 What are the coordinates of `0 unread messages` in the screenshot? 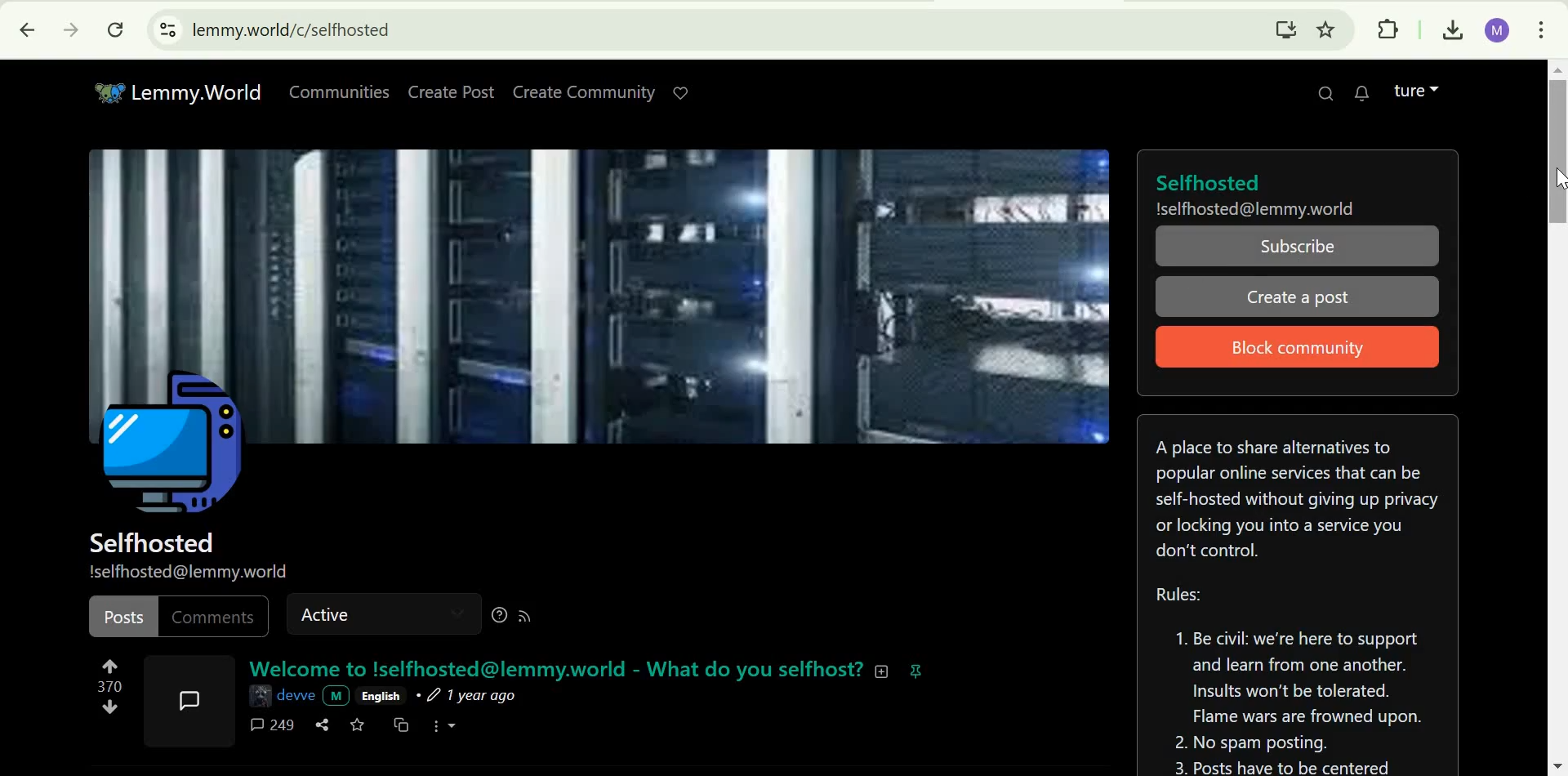 It's located at (1365, 91).